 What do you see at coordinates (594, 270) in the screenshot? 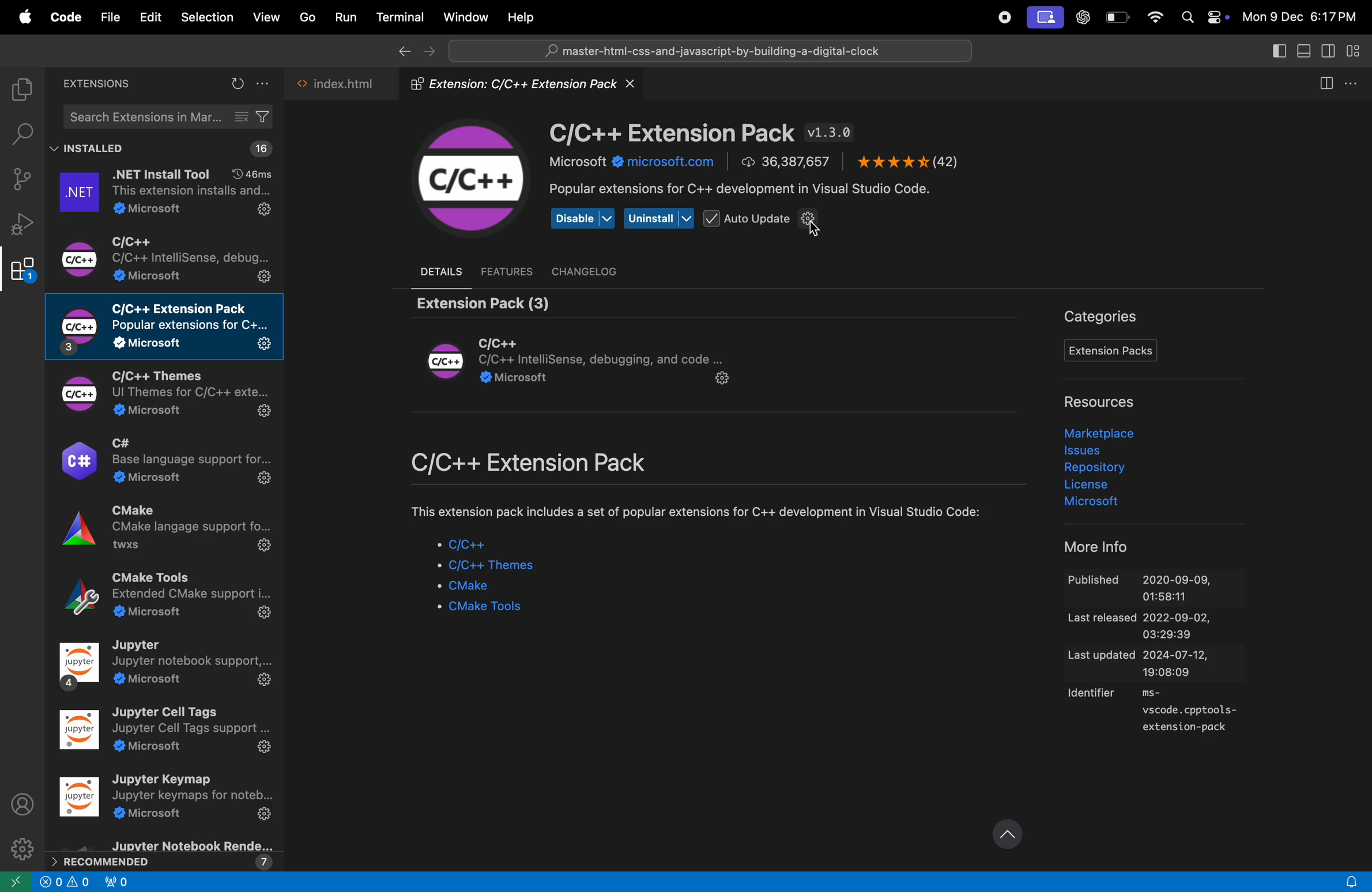
I see `chanel log` at bounding box center [594, 270].